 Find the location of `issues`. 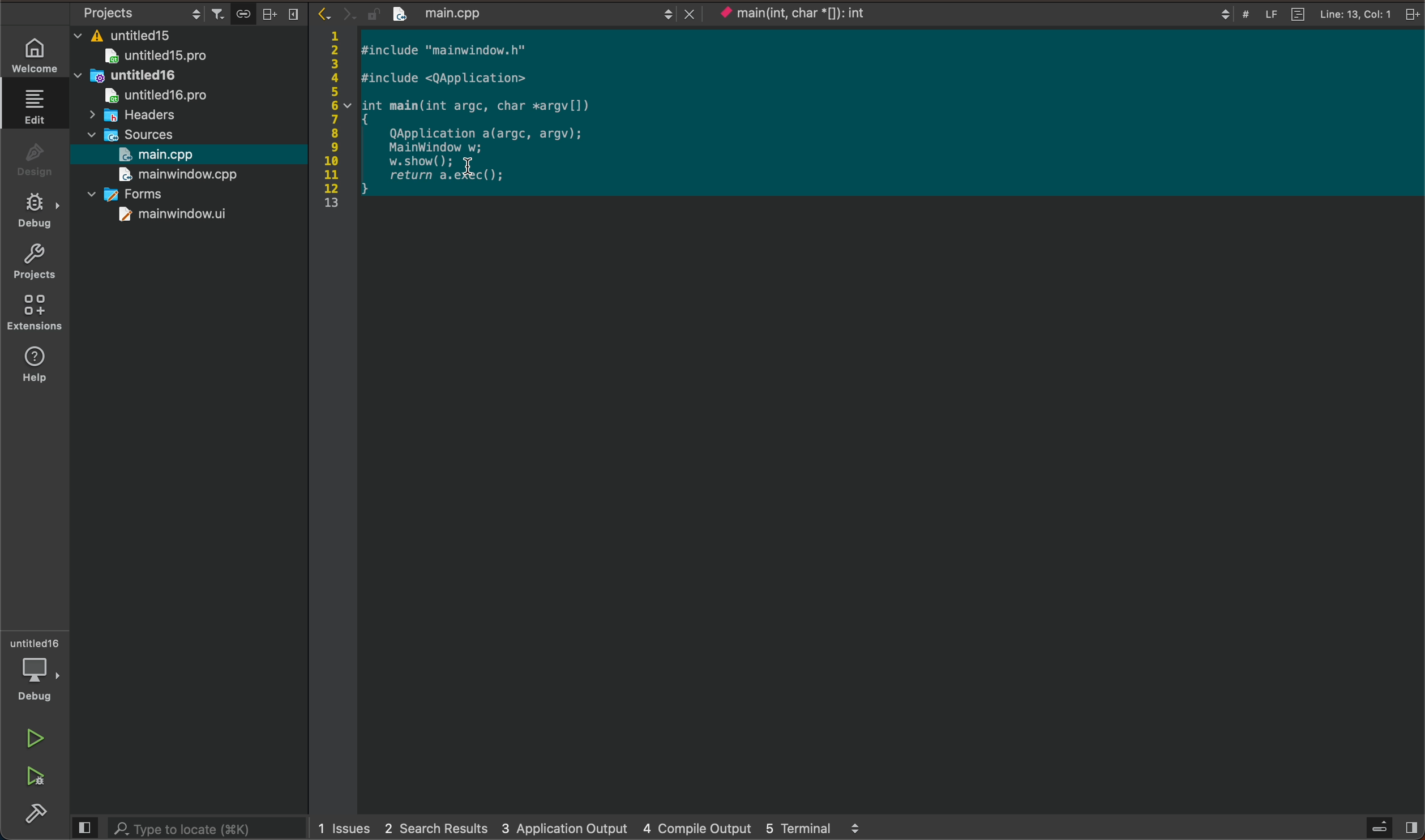

issues is located at coordinates (348, 830).